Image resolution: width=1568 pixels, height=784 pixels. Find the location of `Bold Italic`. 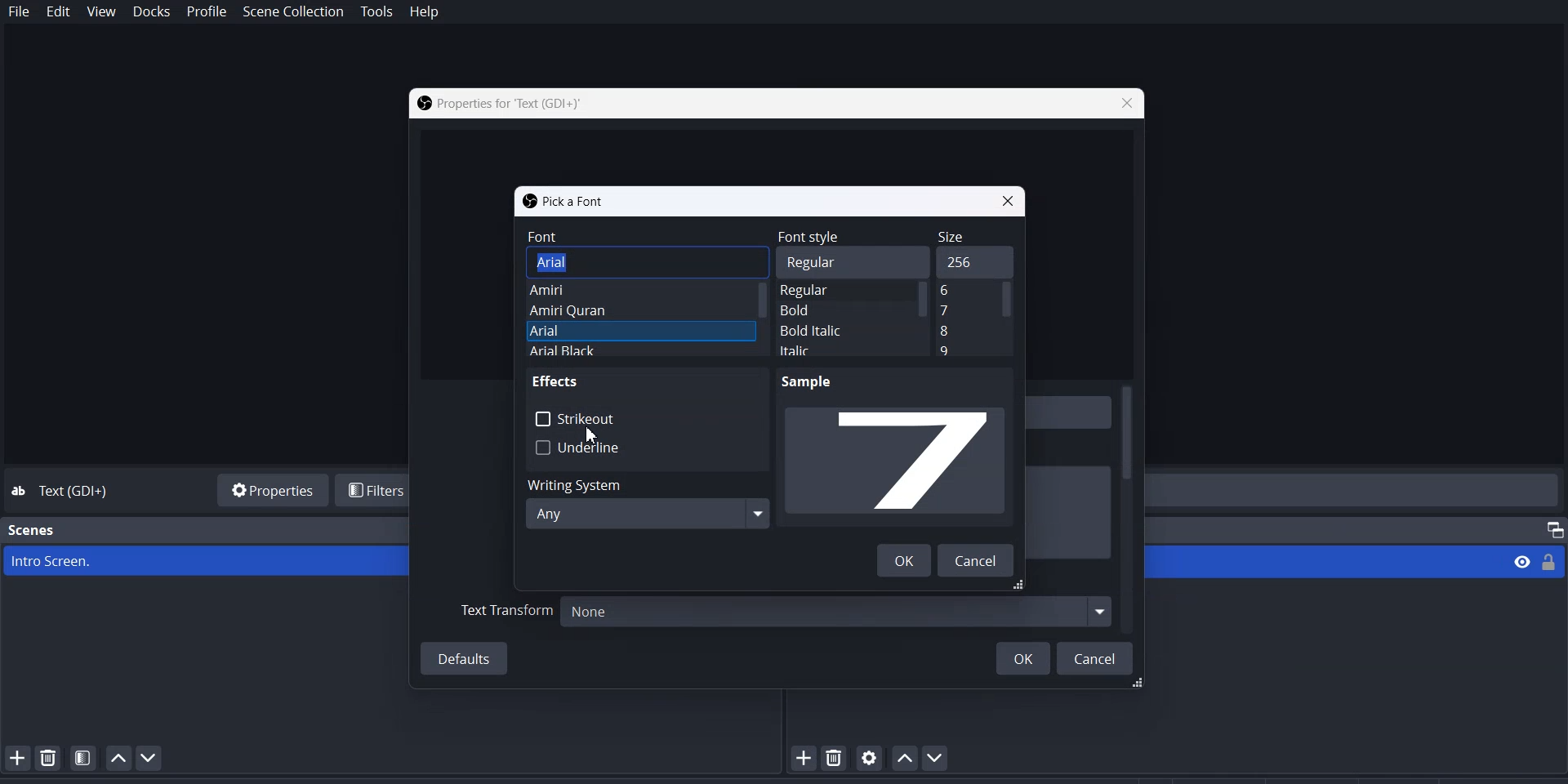

Bold Italic is located at coordinates (822, 330).